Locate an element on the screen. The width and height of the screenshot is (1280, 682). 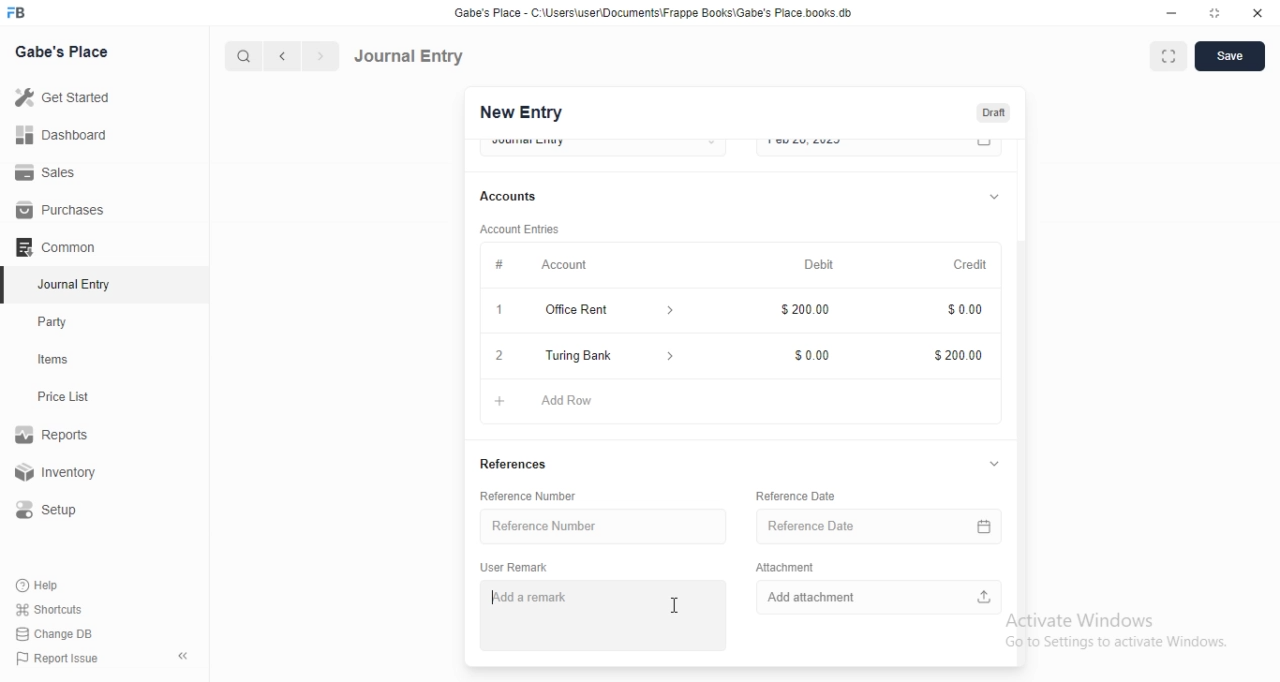
Account Entries. is located at coordinates (518, 229).